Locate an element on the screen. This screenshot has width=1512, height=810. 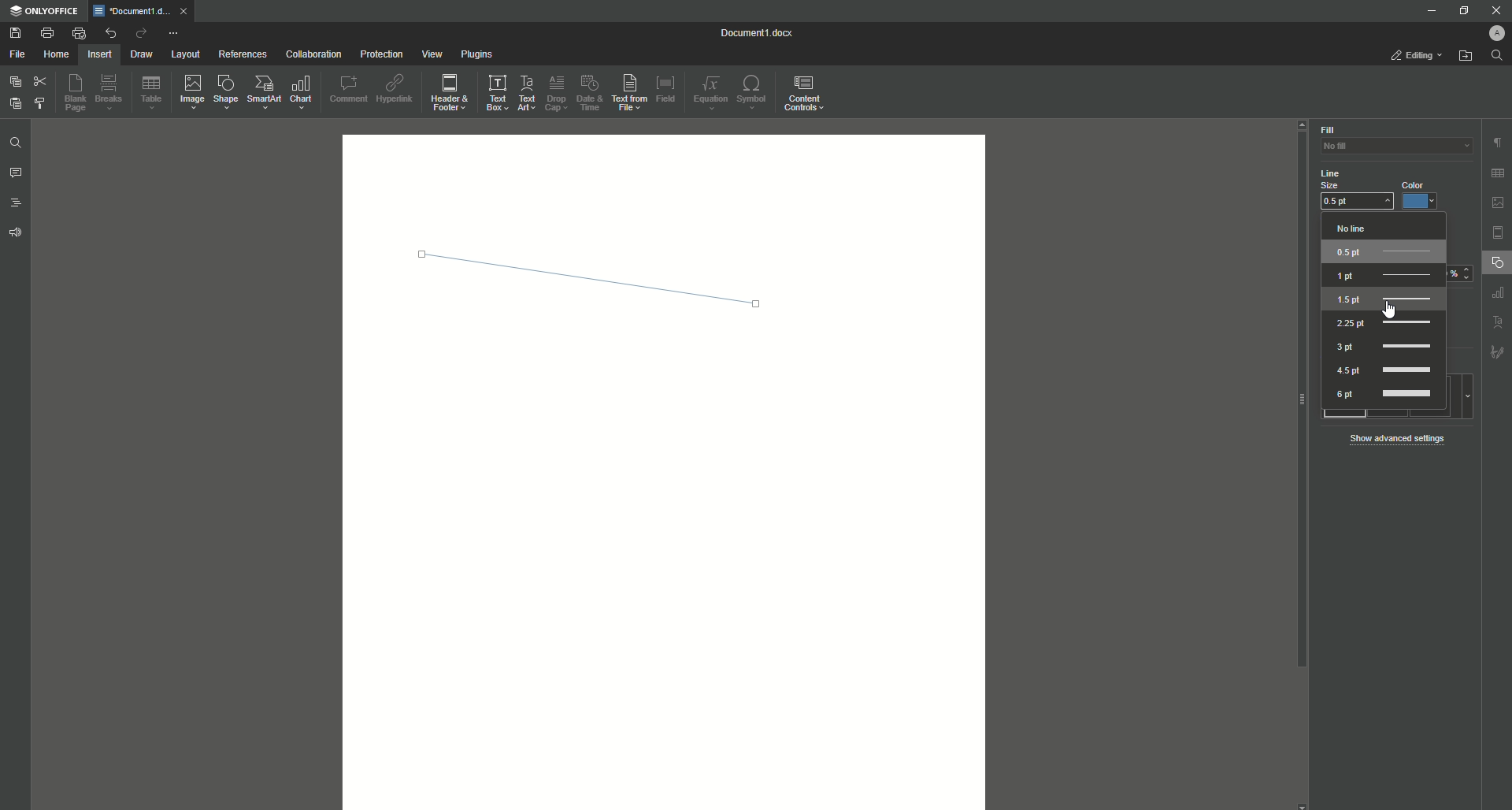
Fill is located at coordinates (1328, 130).